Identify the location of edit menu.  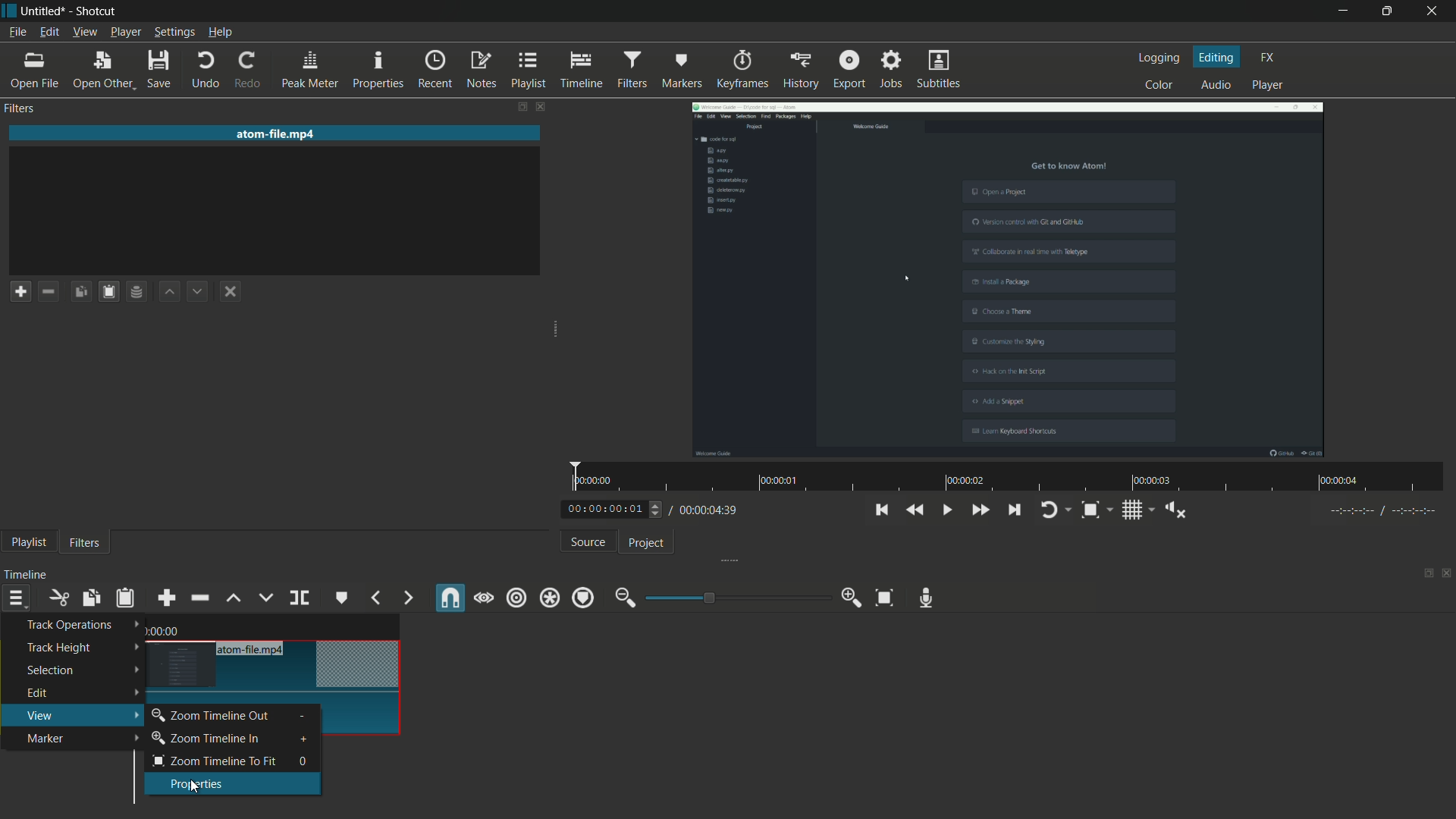
(50, 32).